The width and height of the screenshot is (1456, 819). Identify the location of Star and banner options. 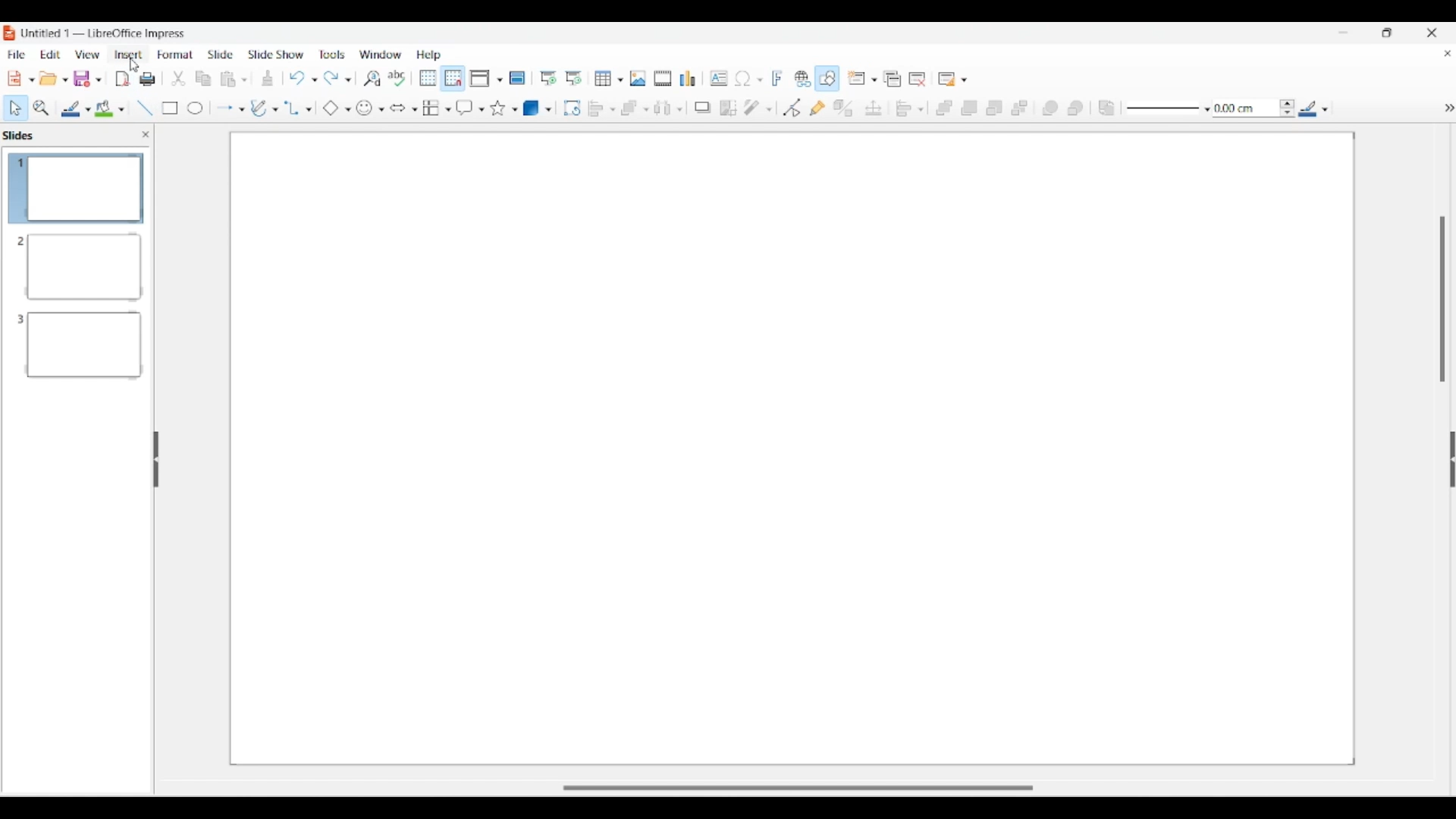
(504, 108).